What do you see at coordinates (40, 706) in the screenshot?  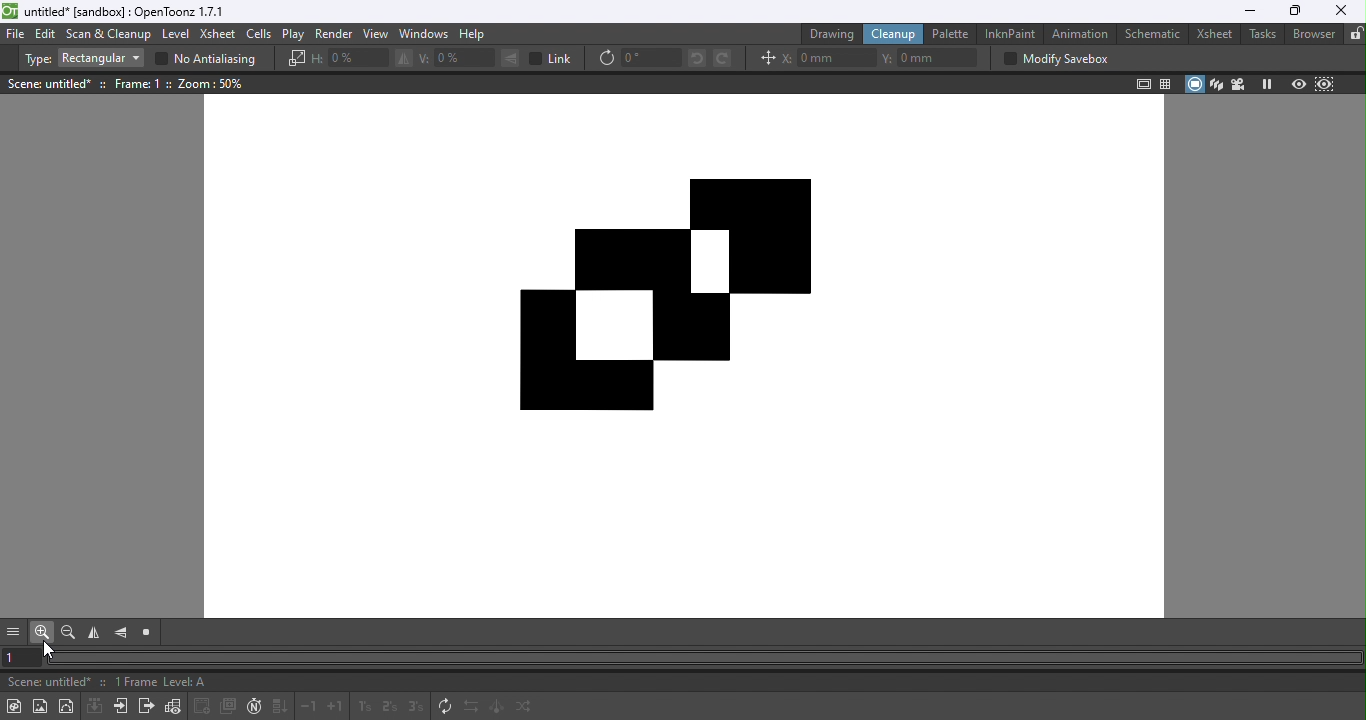 I see `New raster level` at bounding box center [40, 706].